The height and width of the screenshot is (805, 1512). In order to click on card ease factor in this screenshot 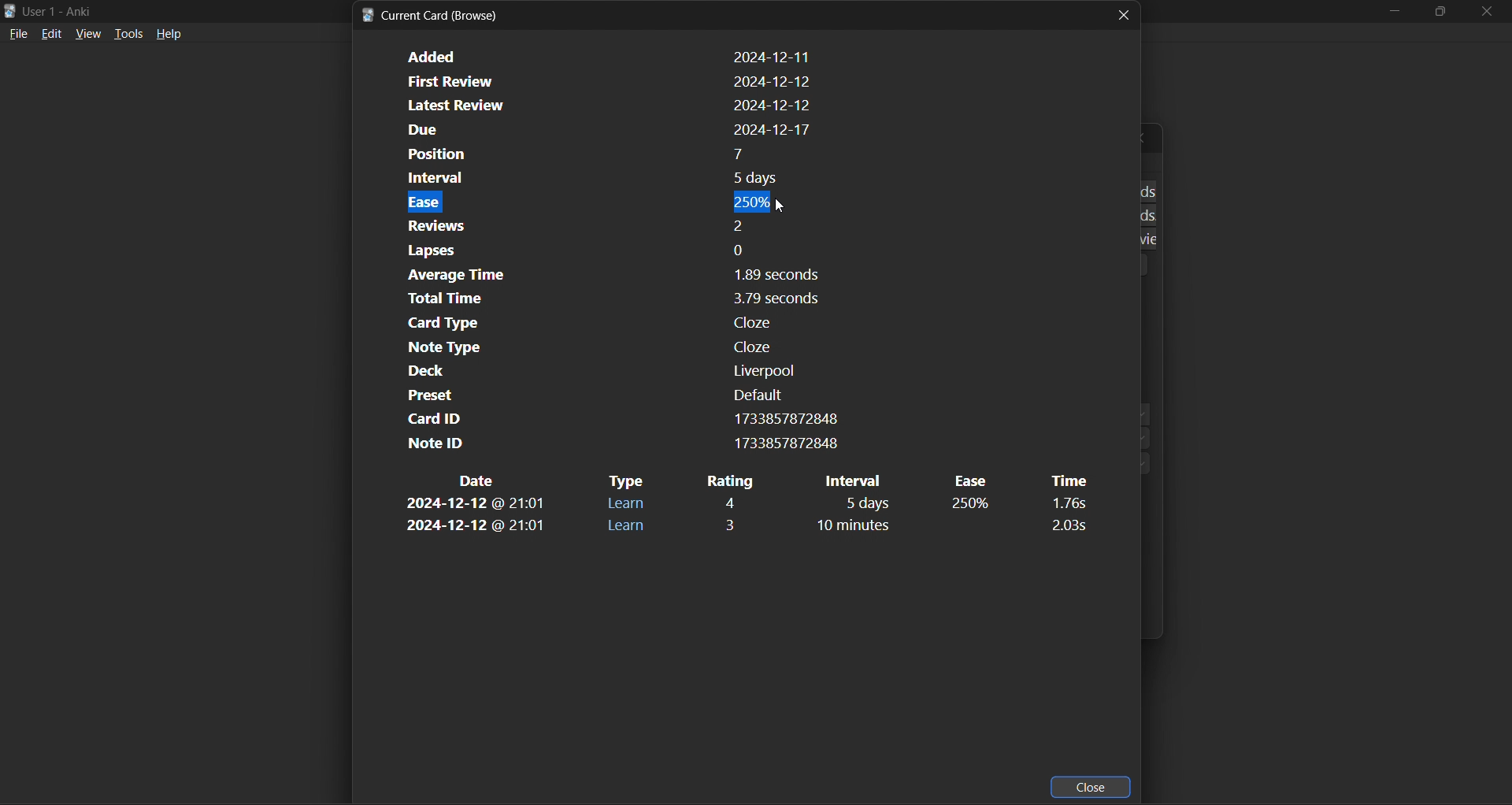, I will do `click(604, 201)`.